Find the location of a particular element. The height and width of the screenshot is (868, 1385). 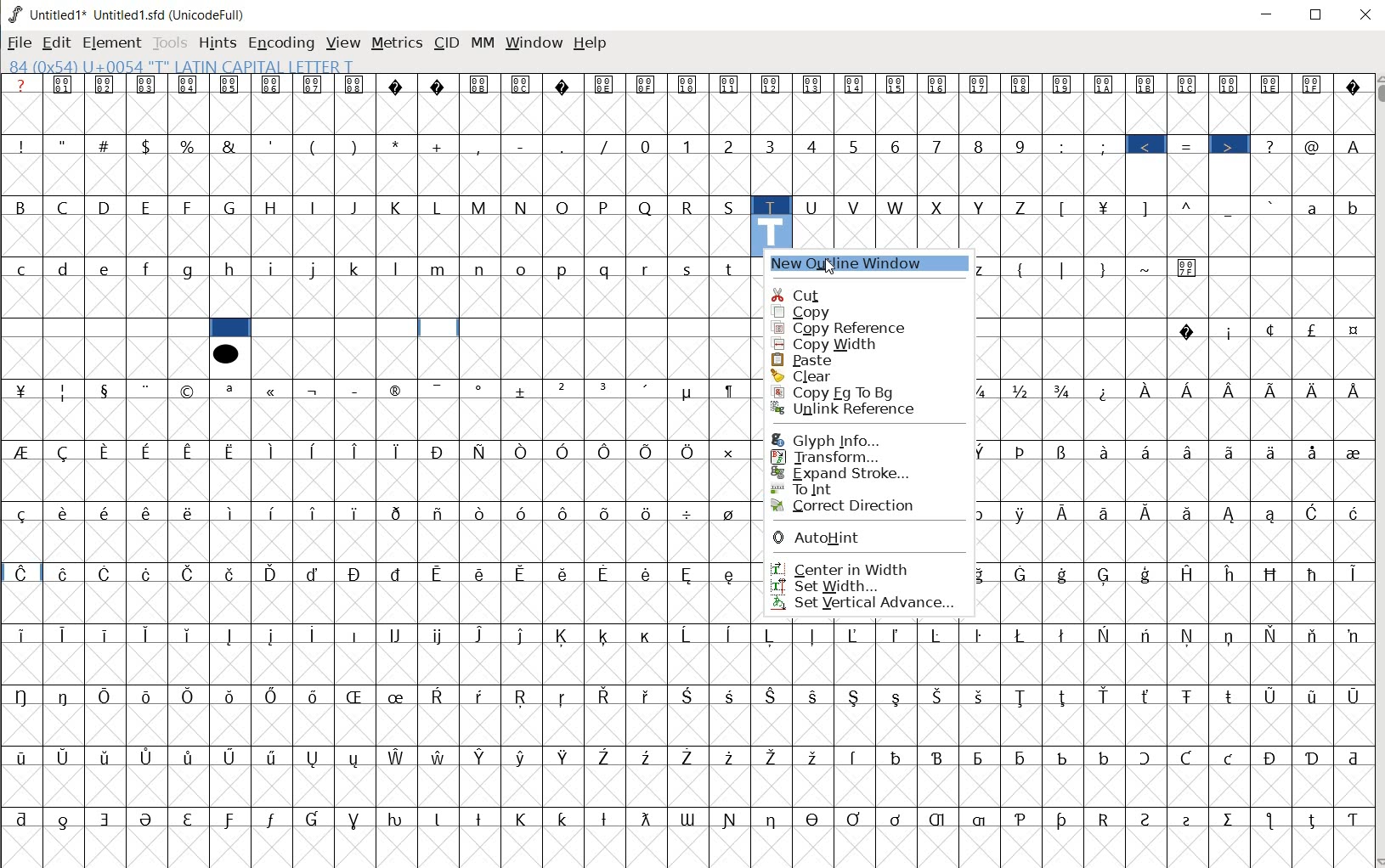

Symbol is located at coordinates (399, 573).